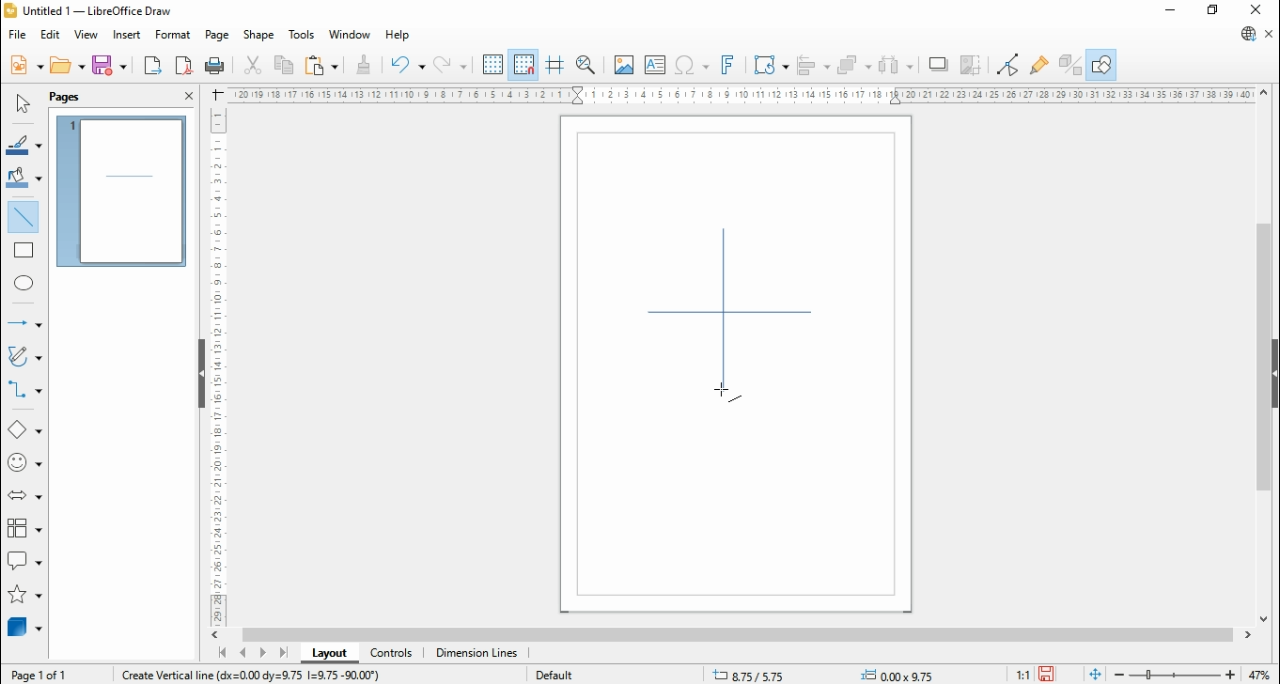  Describe the element at coordinates (737, 635) in the screenshot. I see `scroll bar` at that location.